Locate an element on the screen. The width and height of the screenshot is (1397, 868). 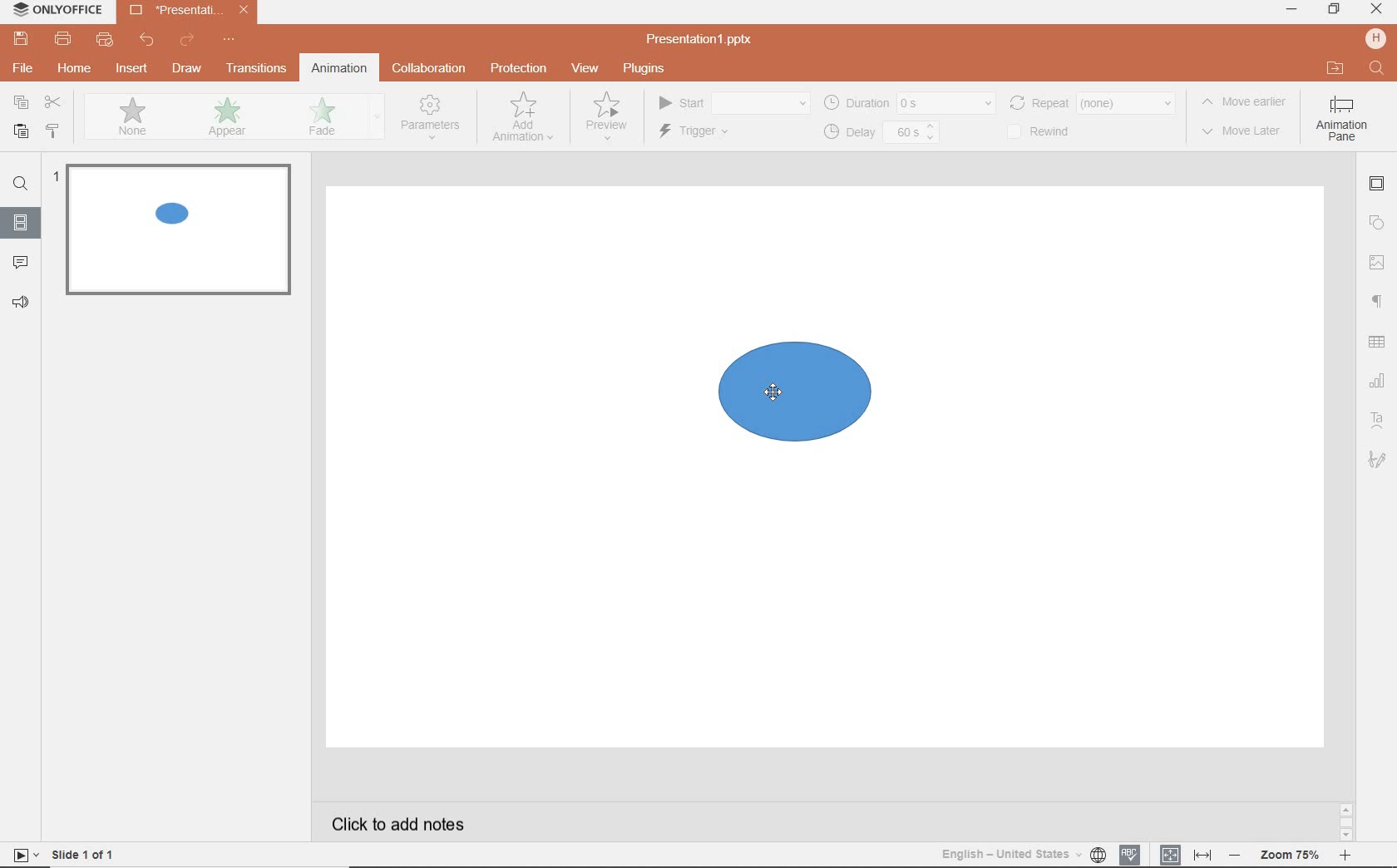
file name is located at coordinates (705, 40).